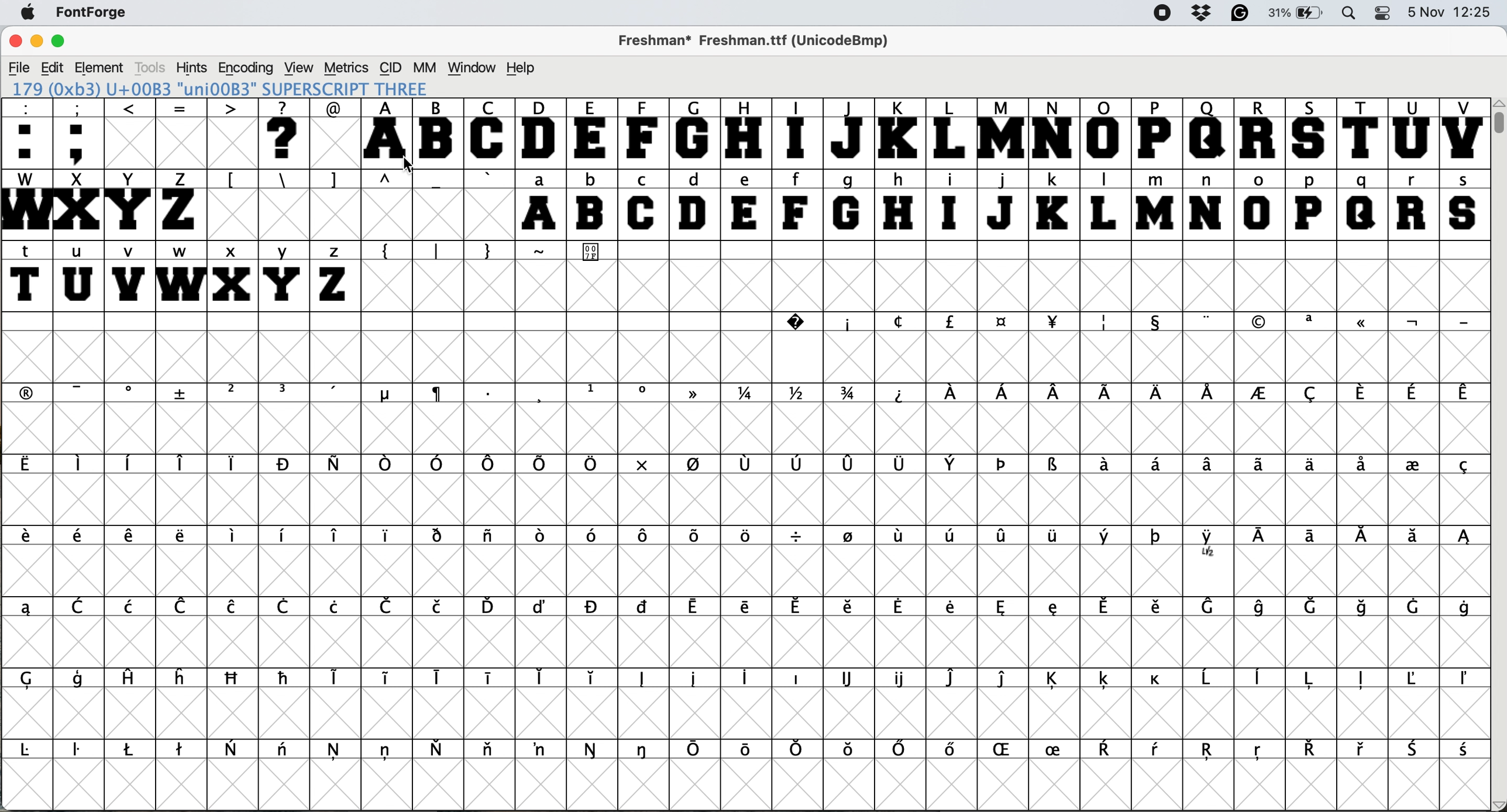 Image resolution: width=1507 pixels, height=812 pixels. I want to click on symbol, so click(797, 679).